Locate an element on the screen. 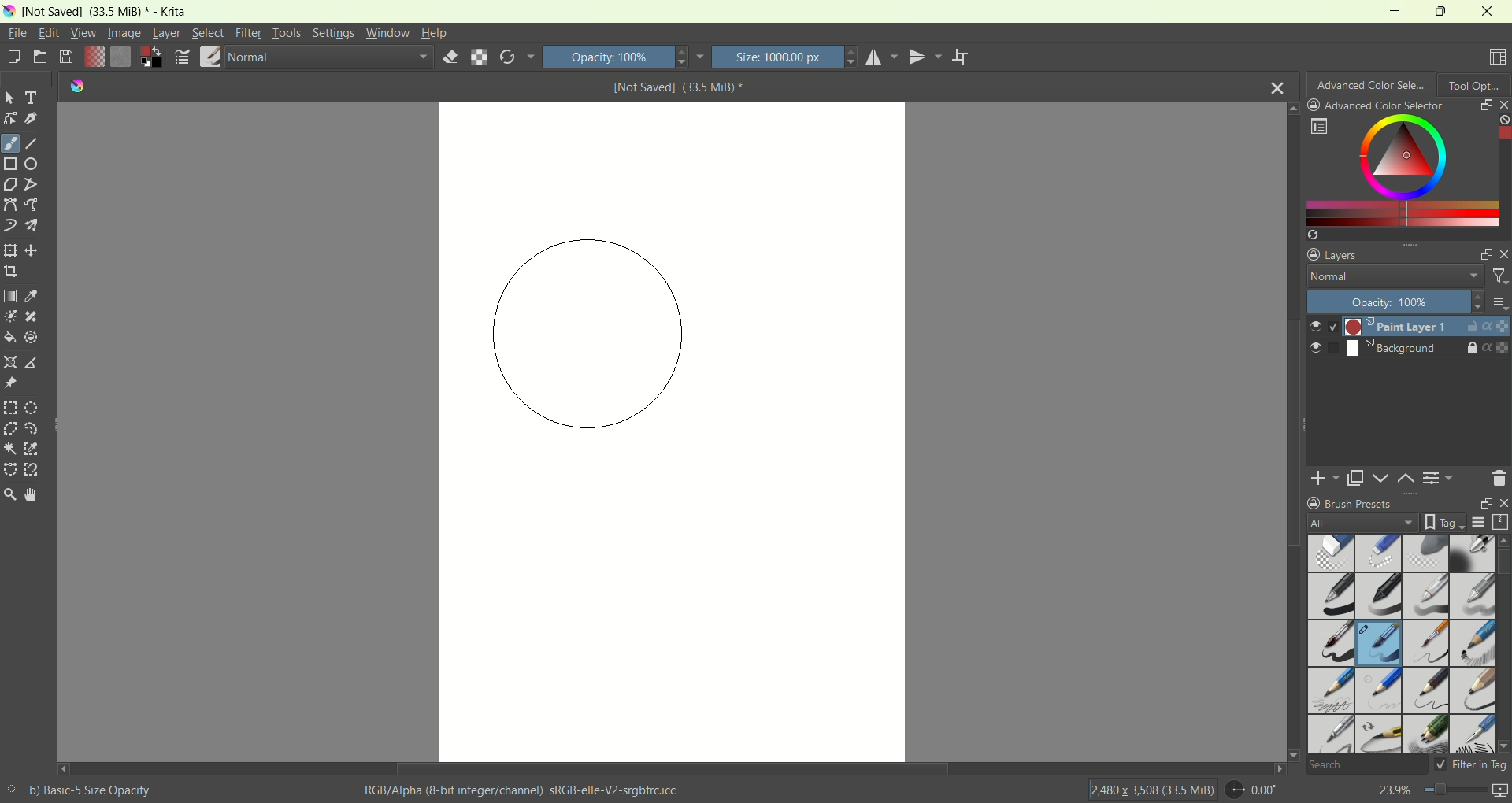 The image size is (1512, 803). options is located at coordinates (1499, 302).